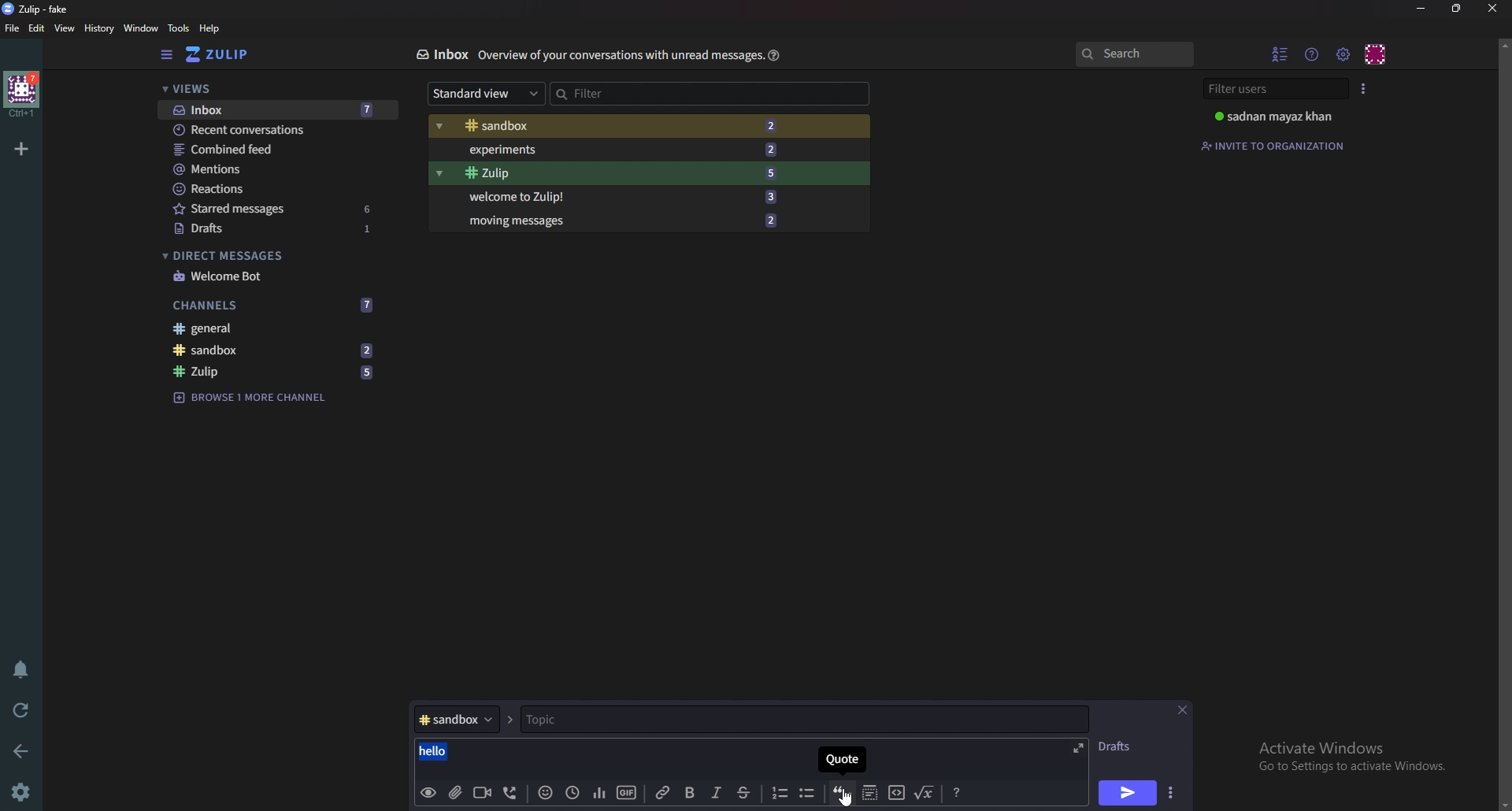  I want to click on preview, so click(428, 791).